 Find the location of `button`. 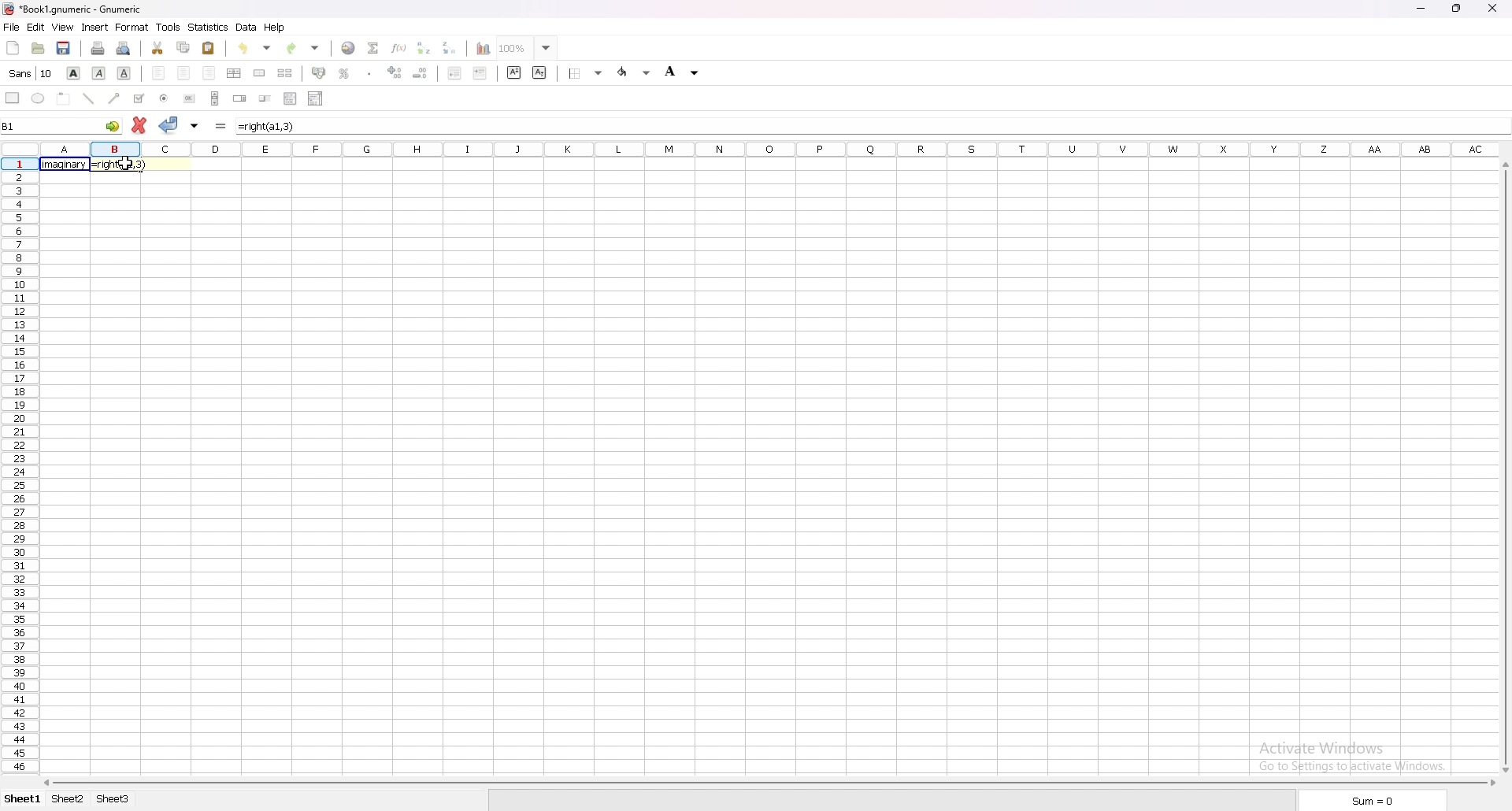

button is located at coordinates (188, 98).